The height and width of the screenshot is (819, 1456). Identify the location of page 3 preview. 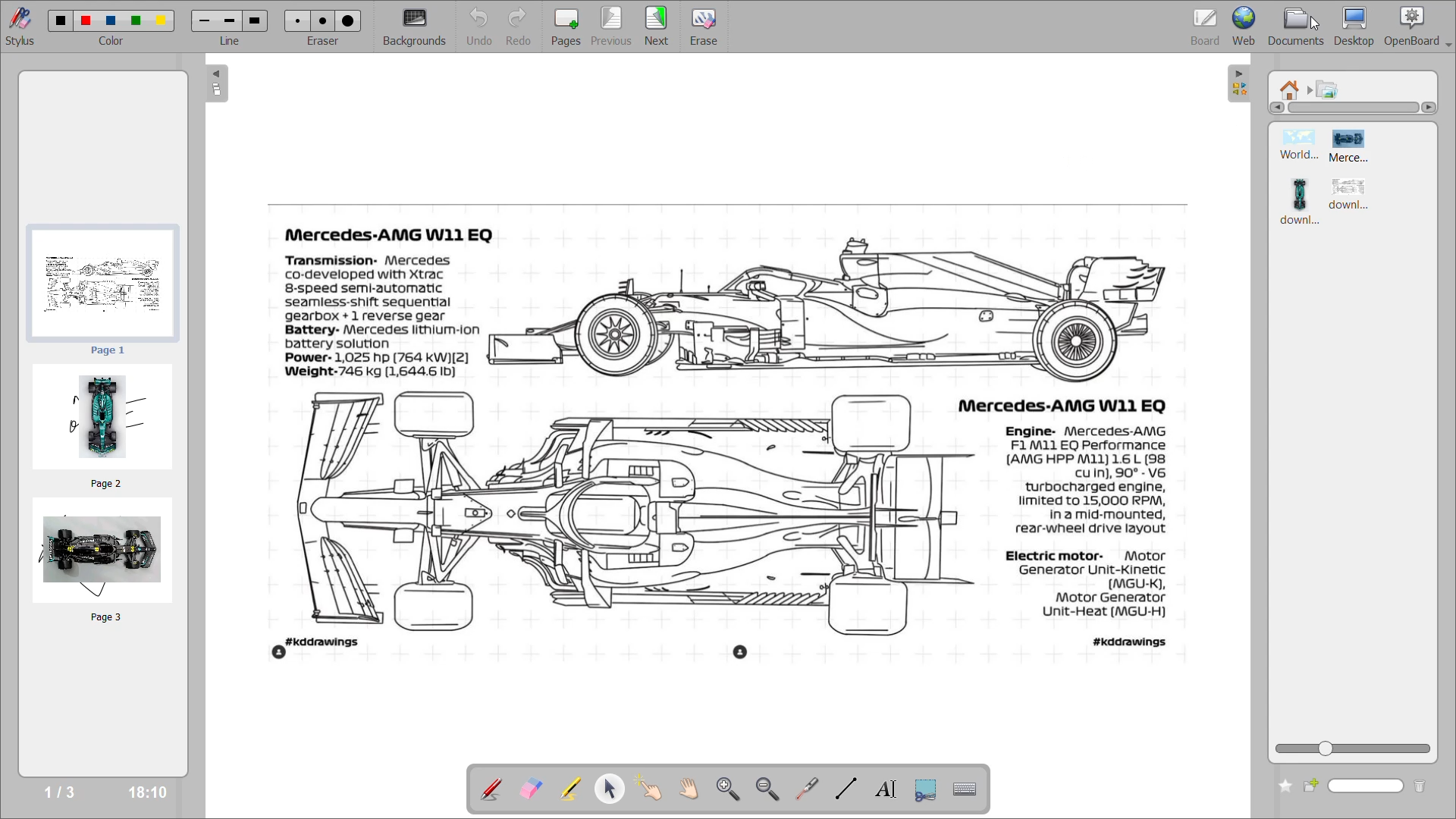
(105, 561).